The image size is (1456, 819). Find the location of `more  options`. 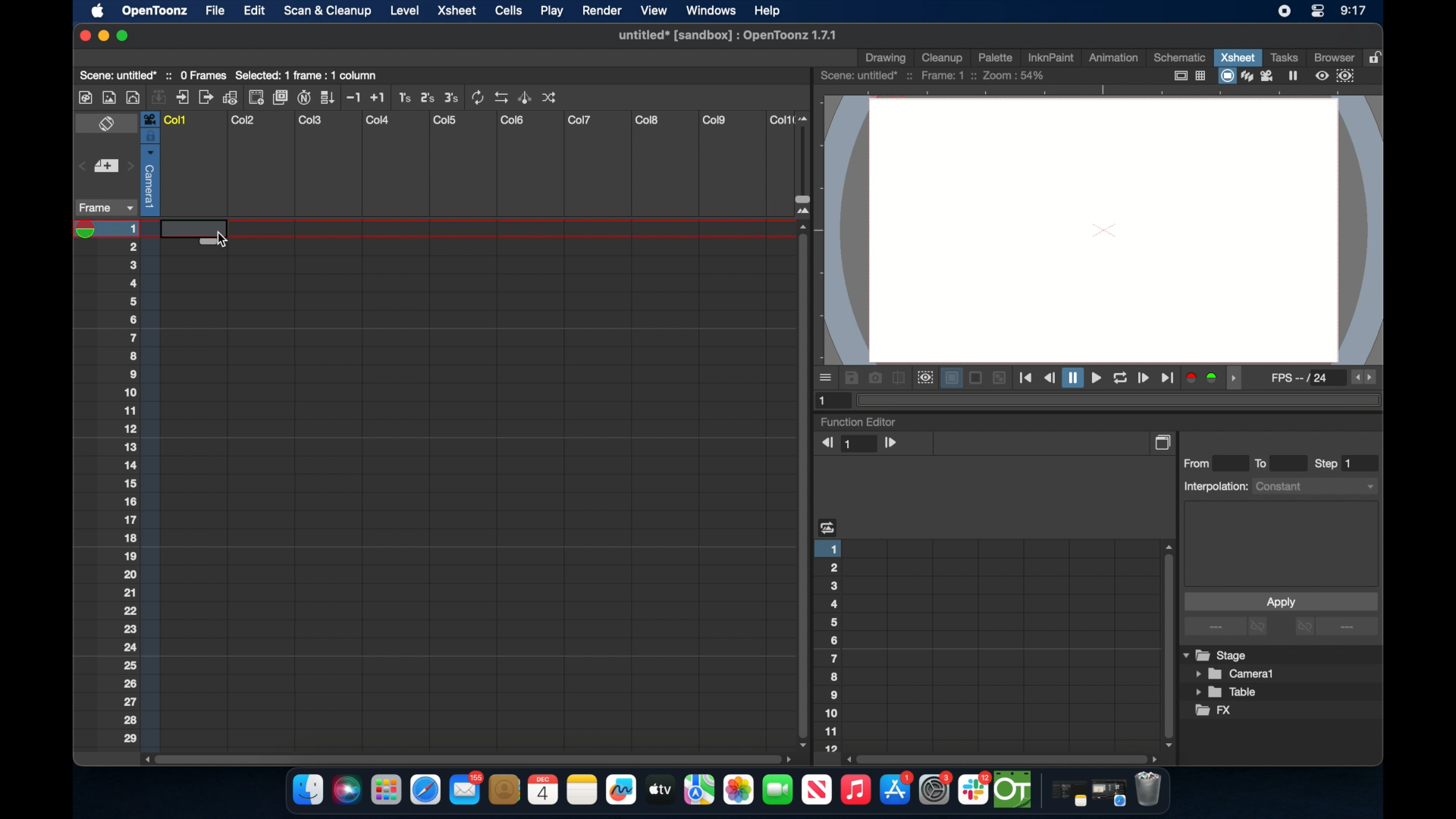

more  options is located at coordinates (1228, 627).